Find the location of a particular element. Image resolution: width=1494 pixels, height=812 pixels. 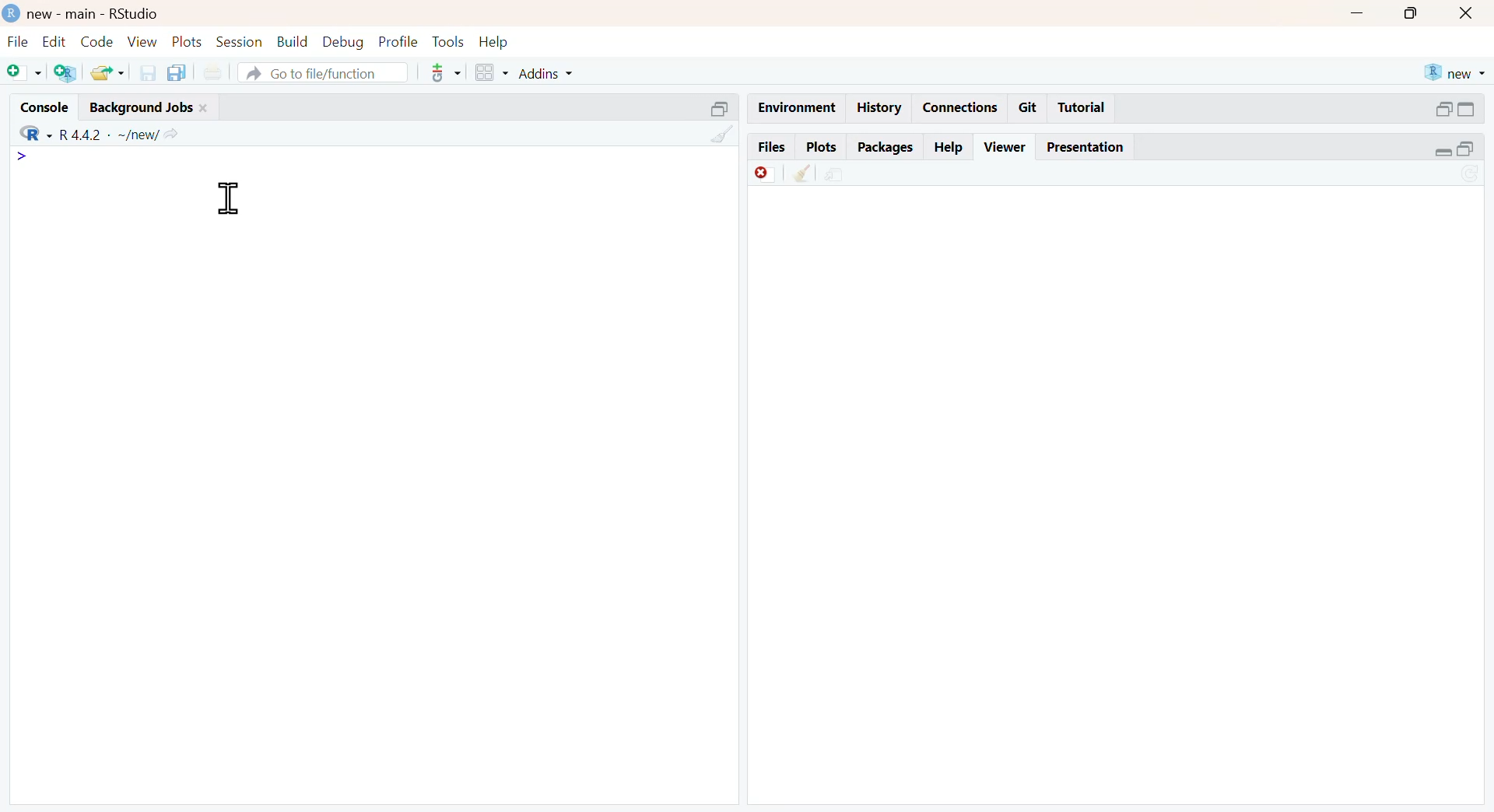

clean is located at coordinates (724, 134).